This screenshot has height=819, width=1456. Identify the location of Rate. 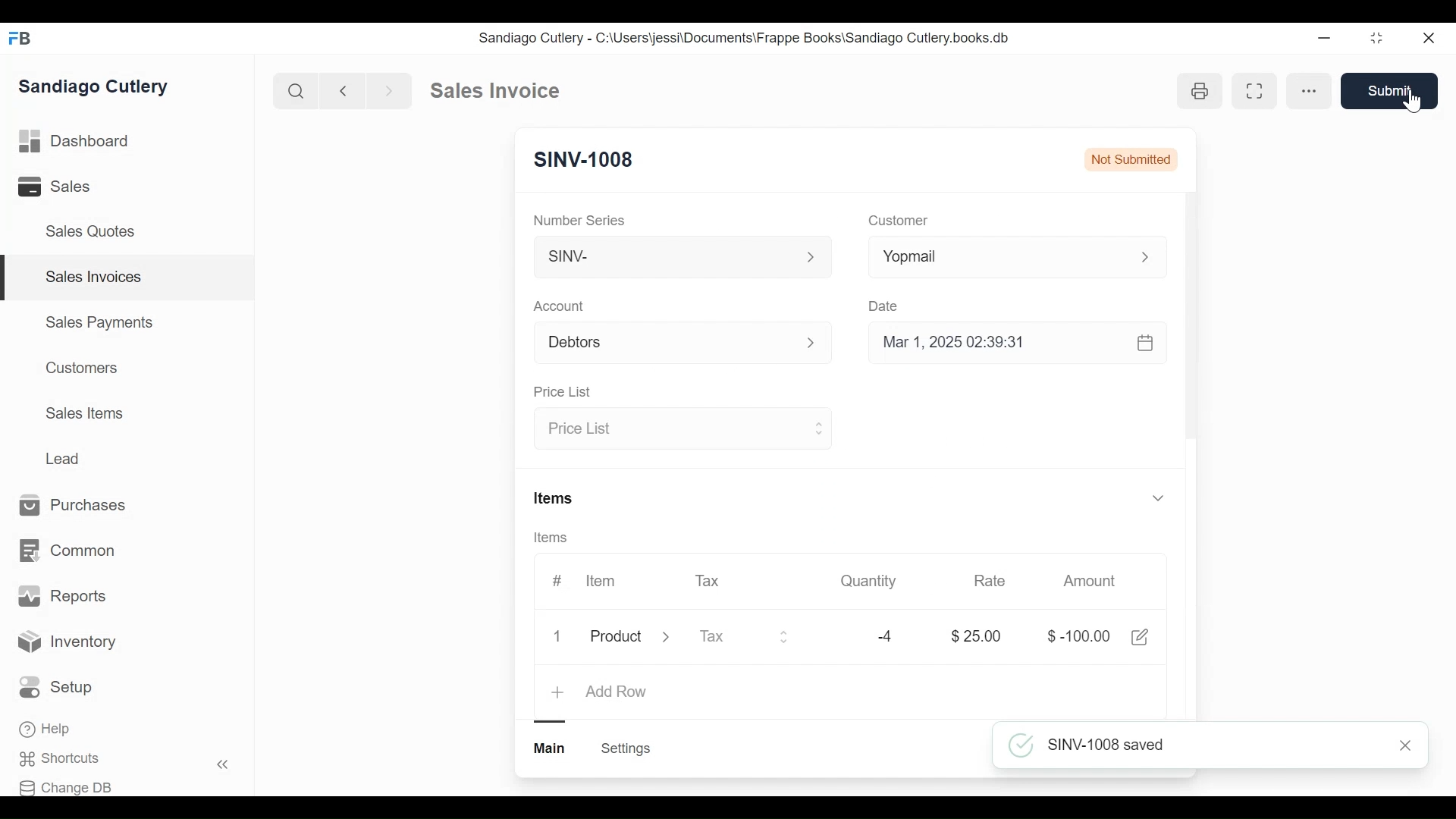
(990, 580).